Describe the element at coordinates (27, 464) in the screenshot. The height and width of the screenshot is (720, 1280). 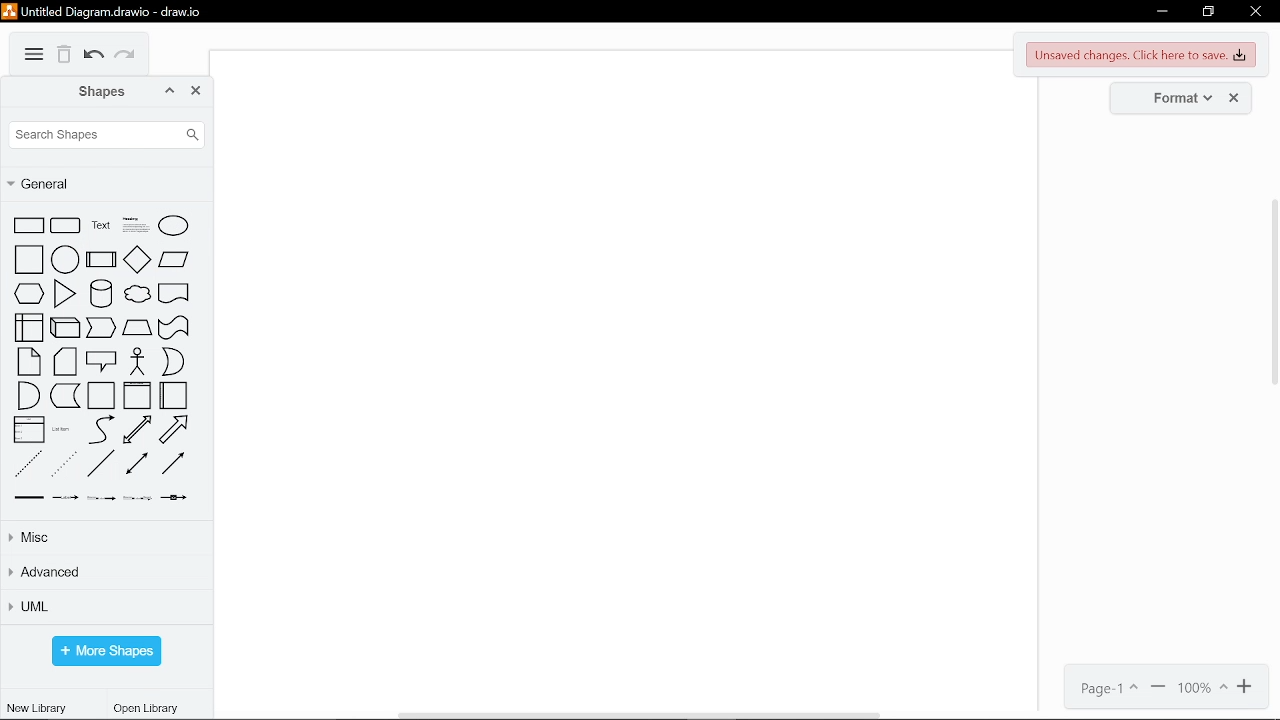
I see `dashed line` at that location.